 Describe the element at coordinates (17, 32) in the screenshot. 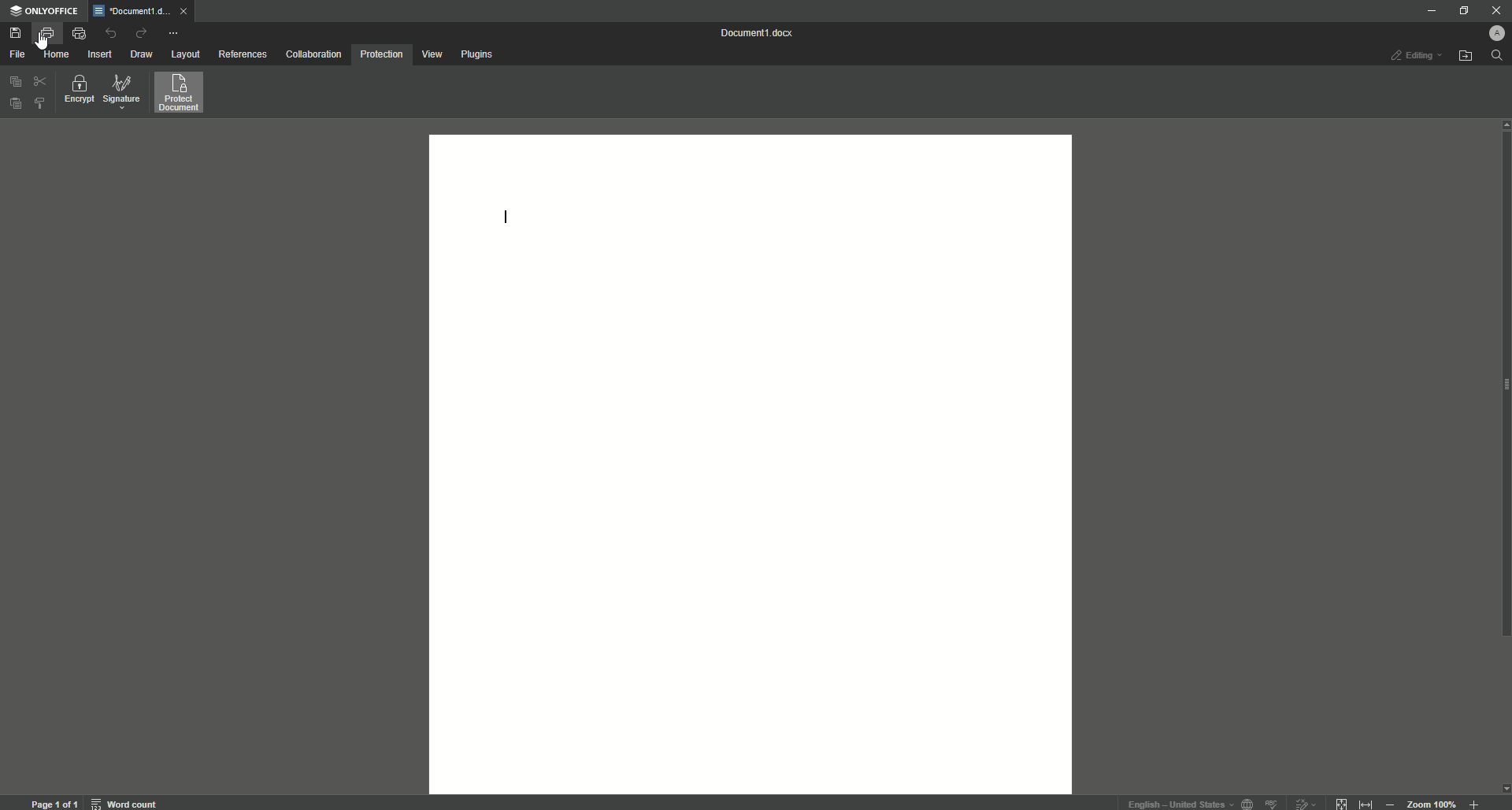

I see `Save` at that location.